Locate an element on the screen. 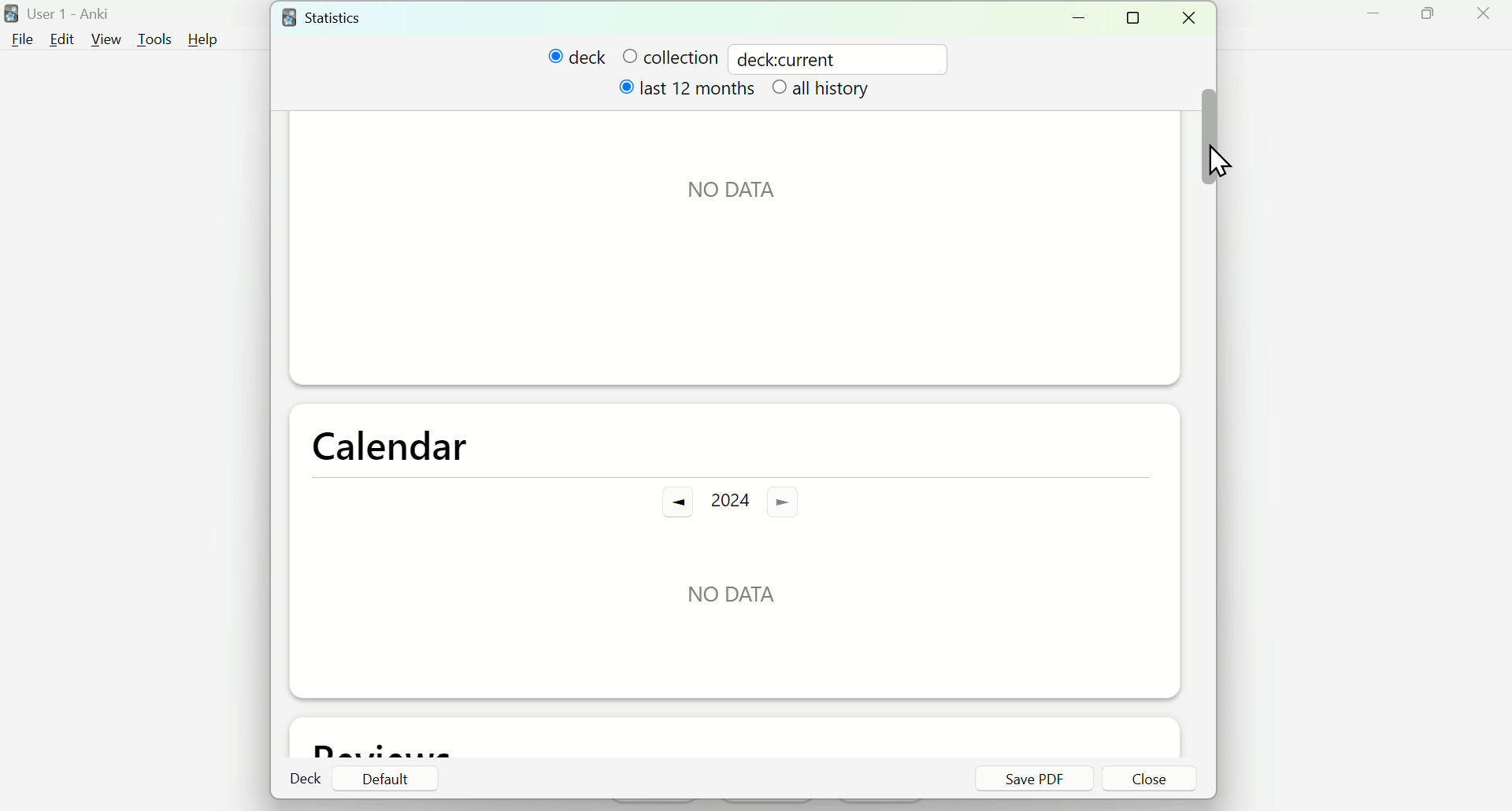 The height and width of the screenshot is (811, 1512). Save PDF is located at coordinates (1033, 779).